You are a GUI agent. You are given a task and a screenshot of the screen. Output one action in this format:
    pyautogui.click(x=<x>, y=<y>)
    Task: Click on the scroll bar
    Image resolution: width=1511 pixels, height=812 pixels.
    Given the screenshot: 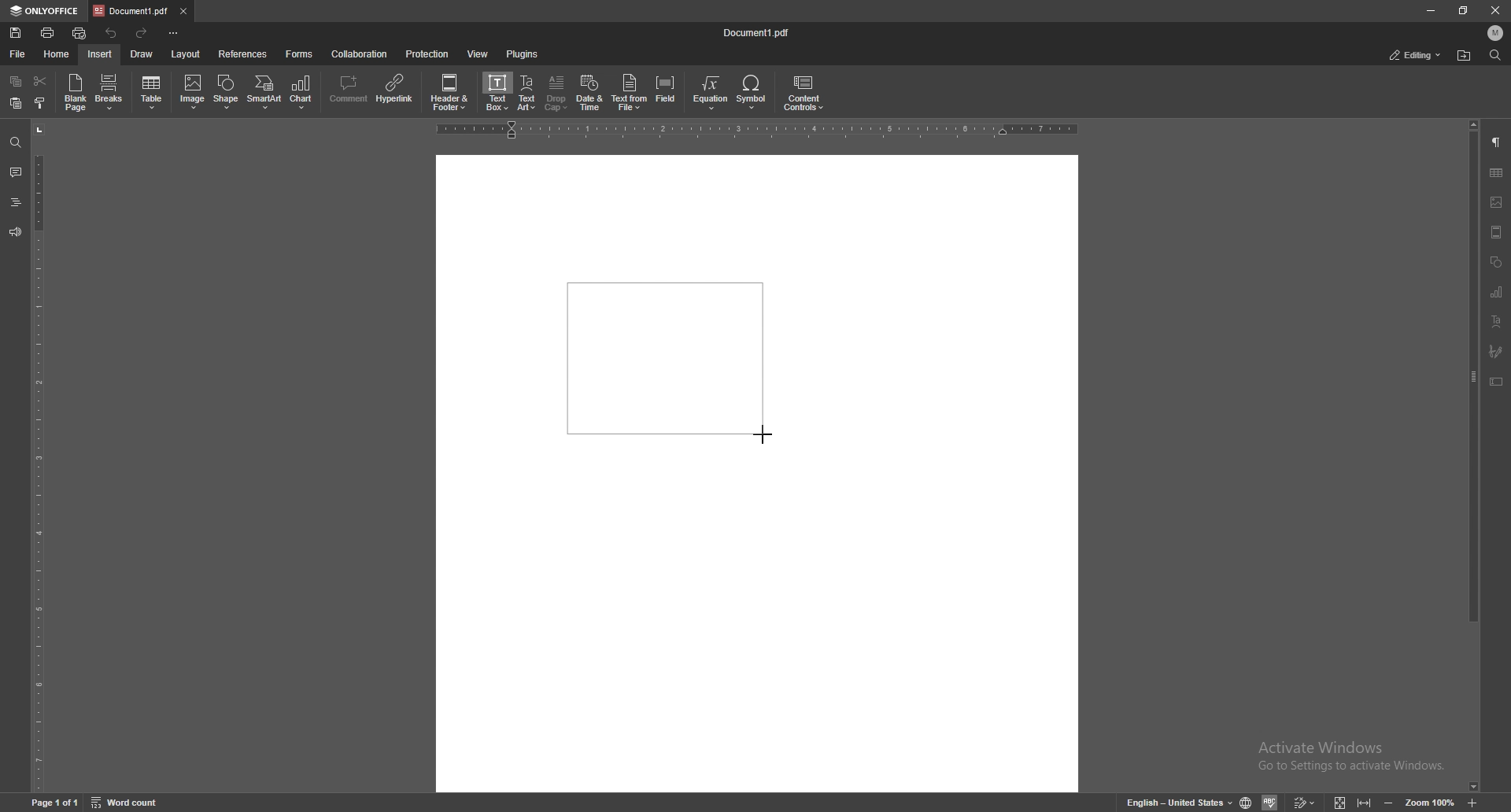 What is the action you would take?
    pyautogui.click(x=1472, y=456)
    